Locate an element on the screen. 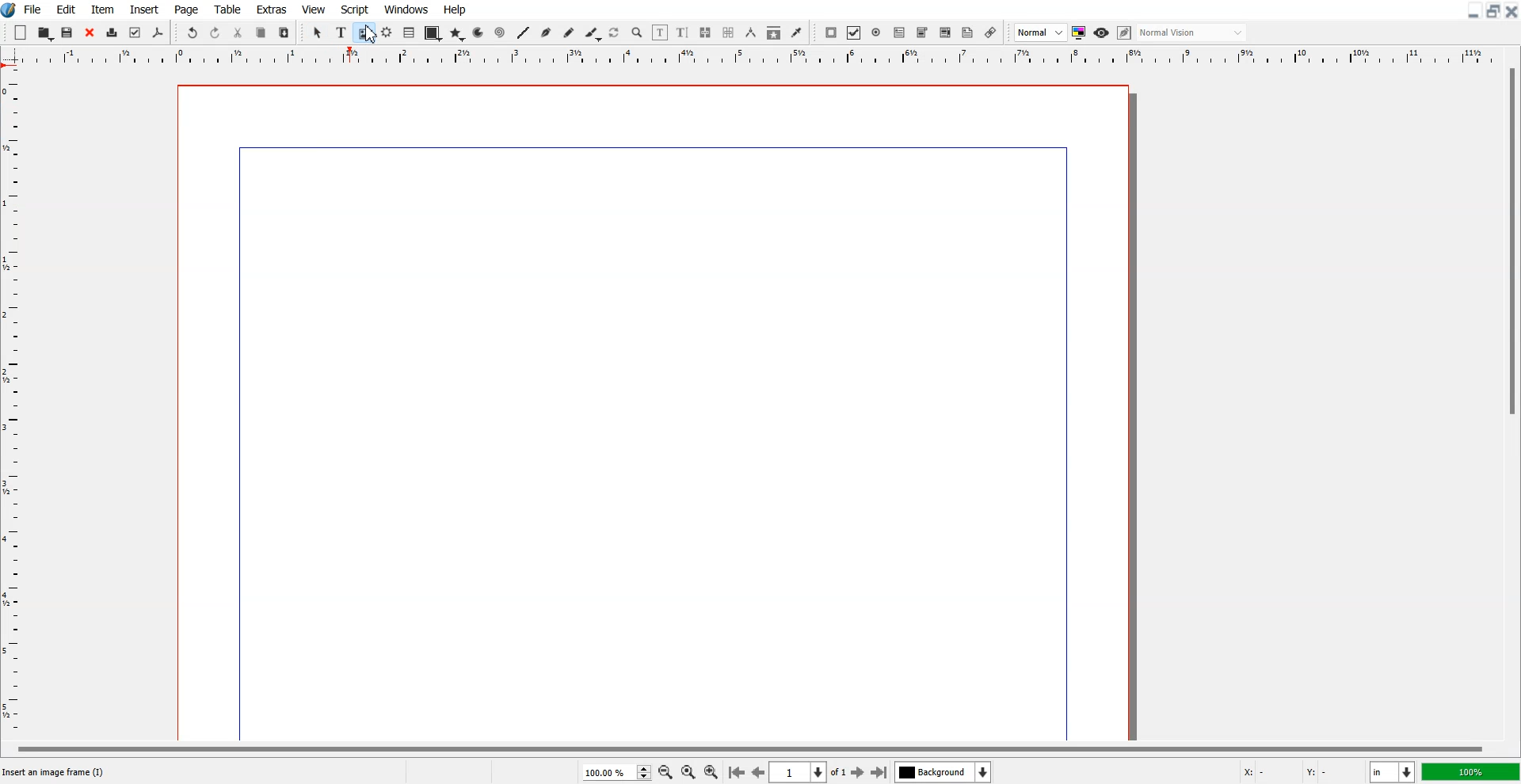 This screenshot has height=784, width=1521. Select Image Preview Quality is located at coordinates (1040, 32).